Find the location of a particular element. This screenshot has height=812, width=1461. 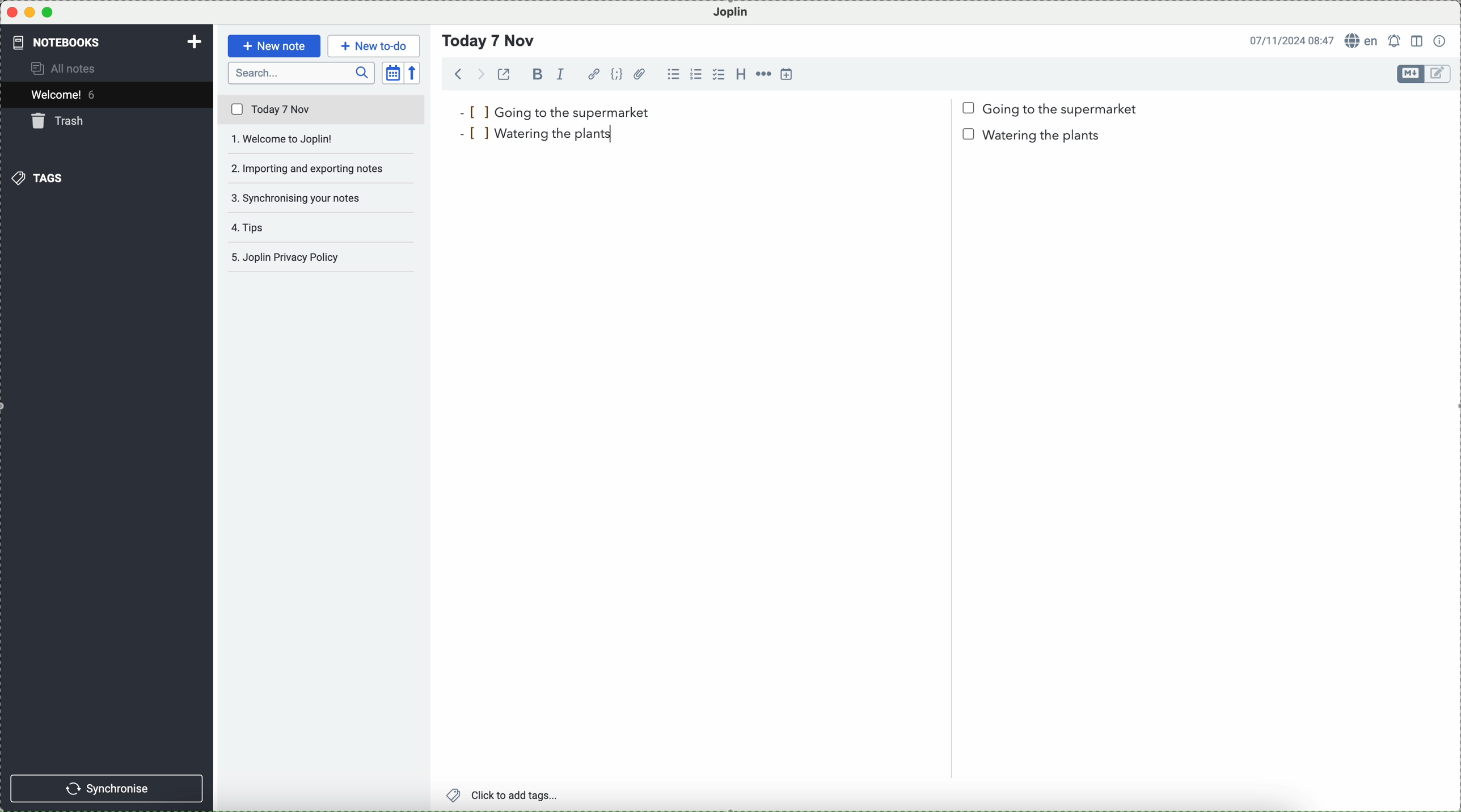

bulleted list is located at coordinates (673, 74).